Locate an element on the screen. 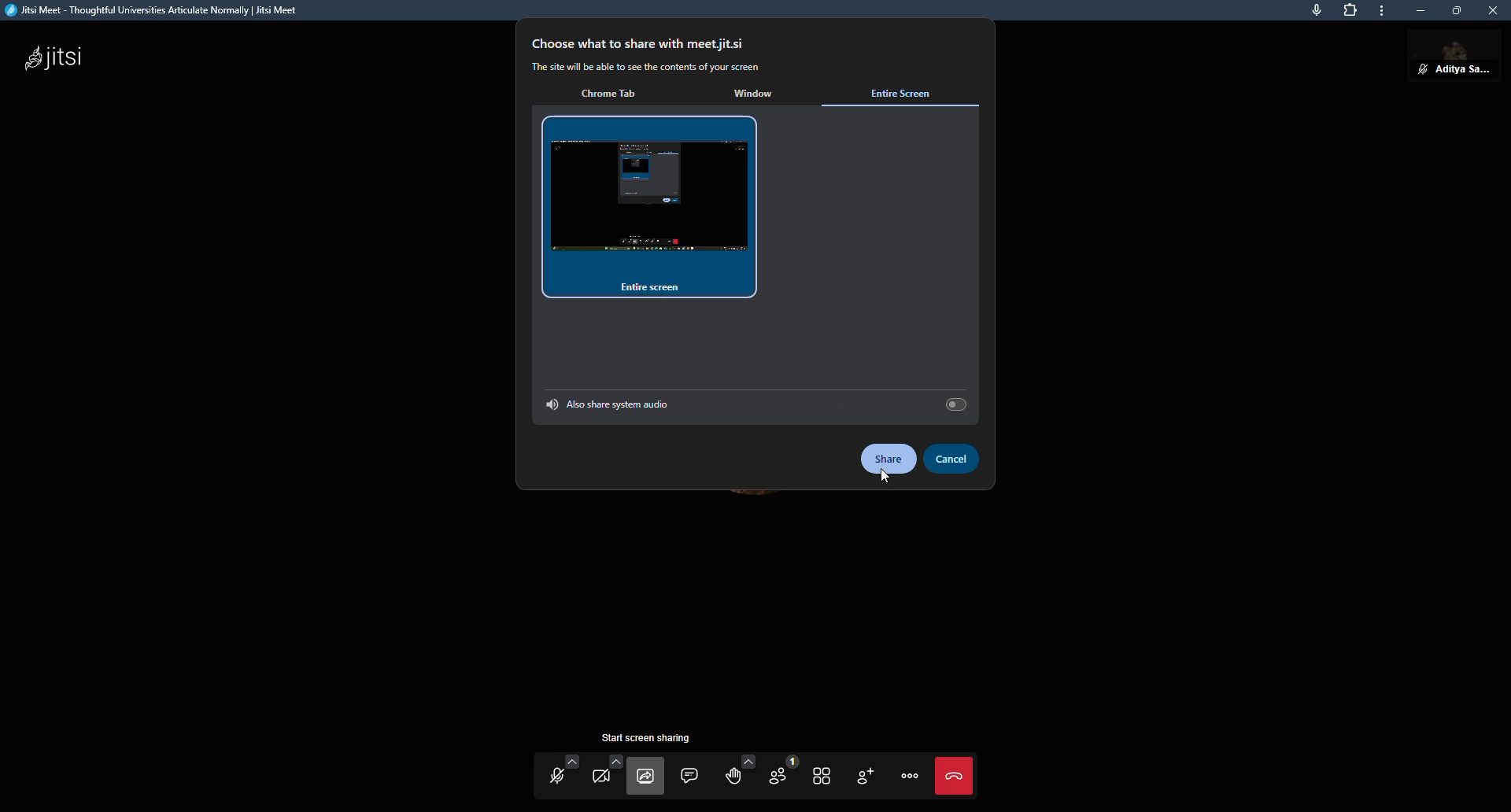  entire screen is located at coordinates (652, 192).